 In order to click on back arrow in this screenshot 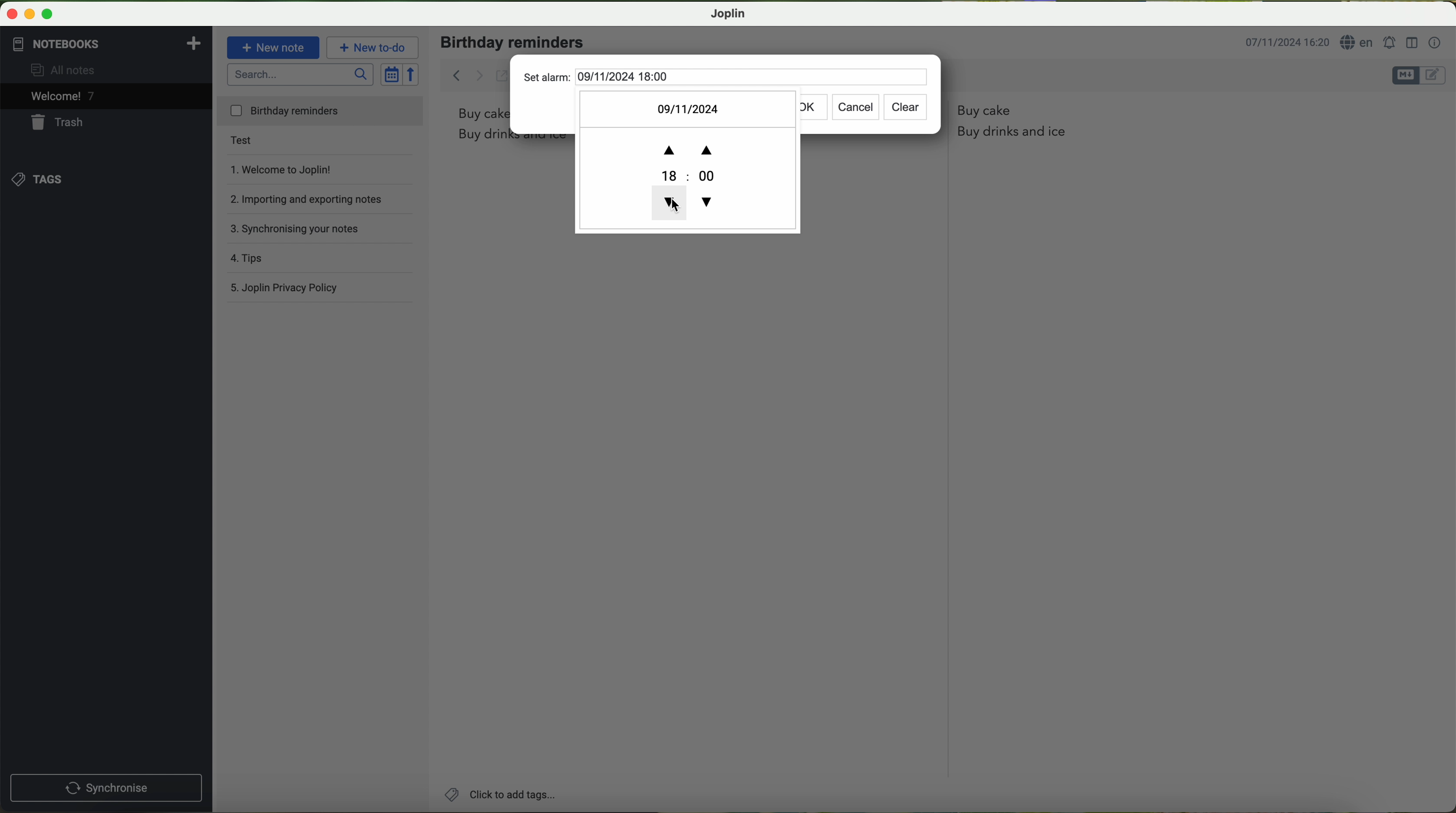, I will do `click(466, 74)`.